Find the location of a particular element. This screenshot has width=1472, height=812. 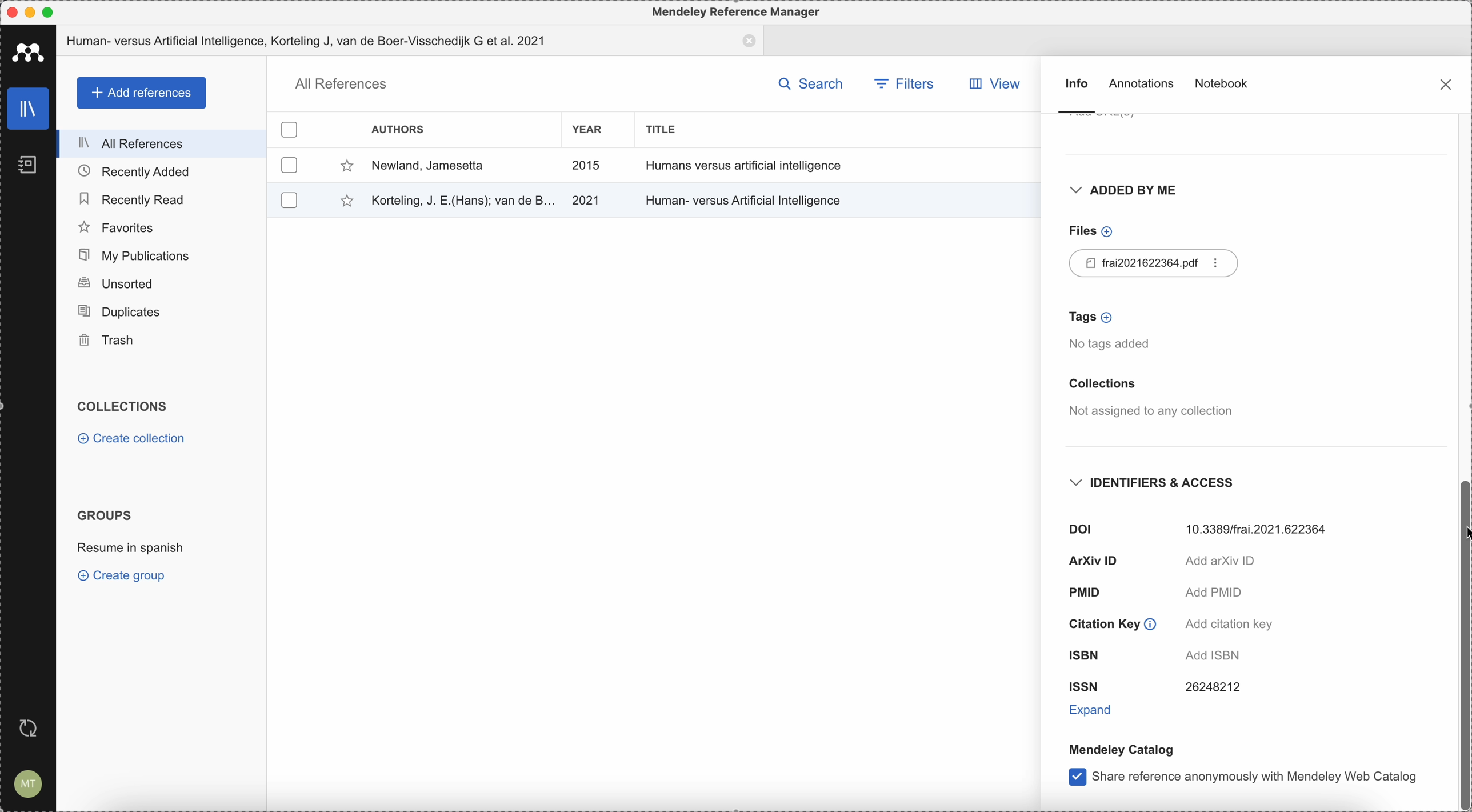

scroll bar is located at coordinates (1463, 642).